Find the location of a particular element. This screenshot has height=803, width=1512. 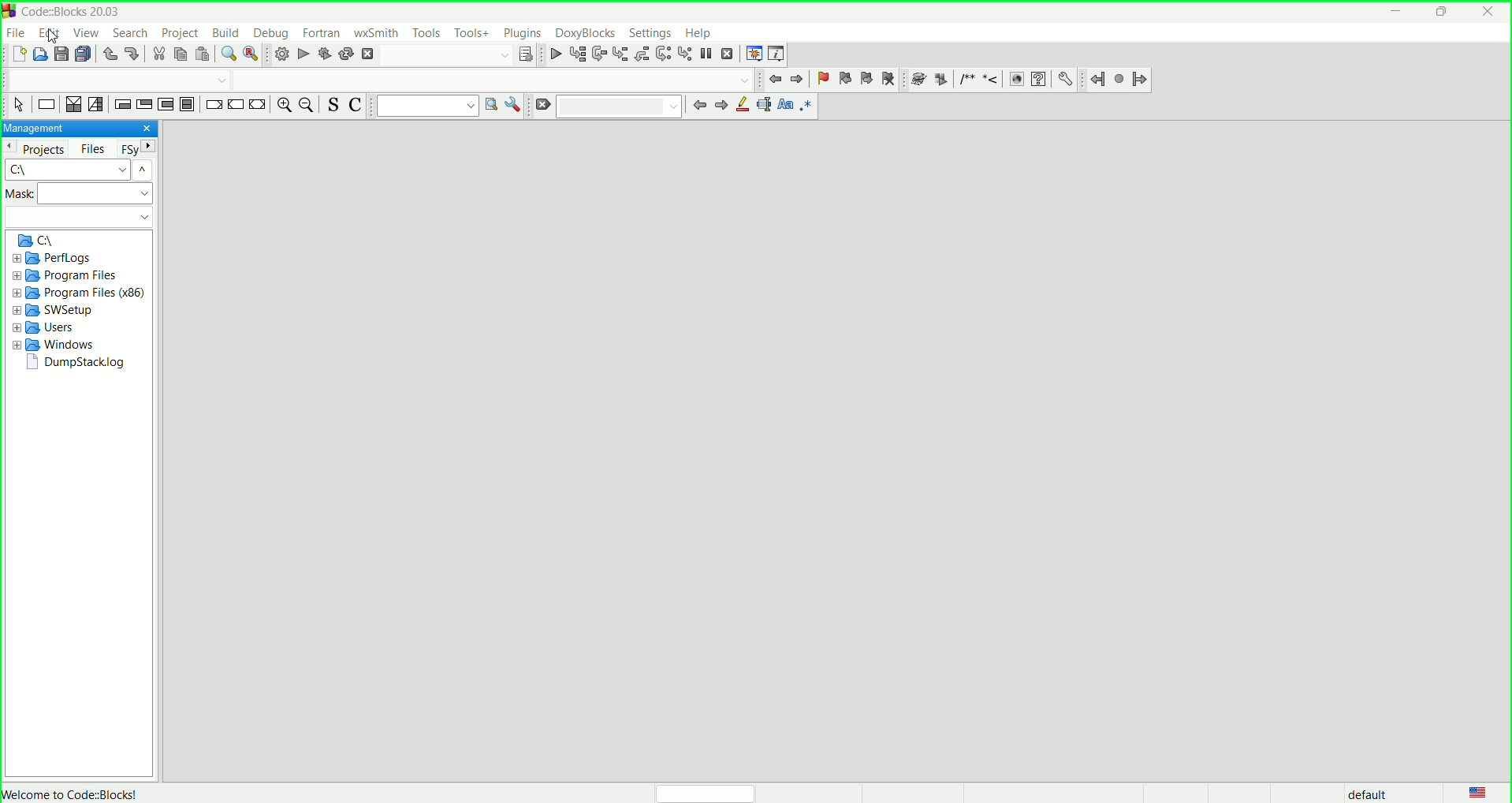

Code completion compiler is located at coordinates (377, 80).